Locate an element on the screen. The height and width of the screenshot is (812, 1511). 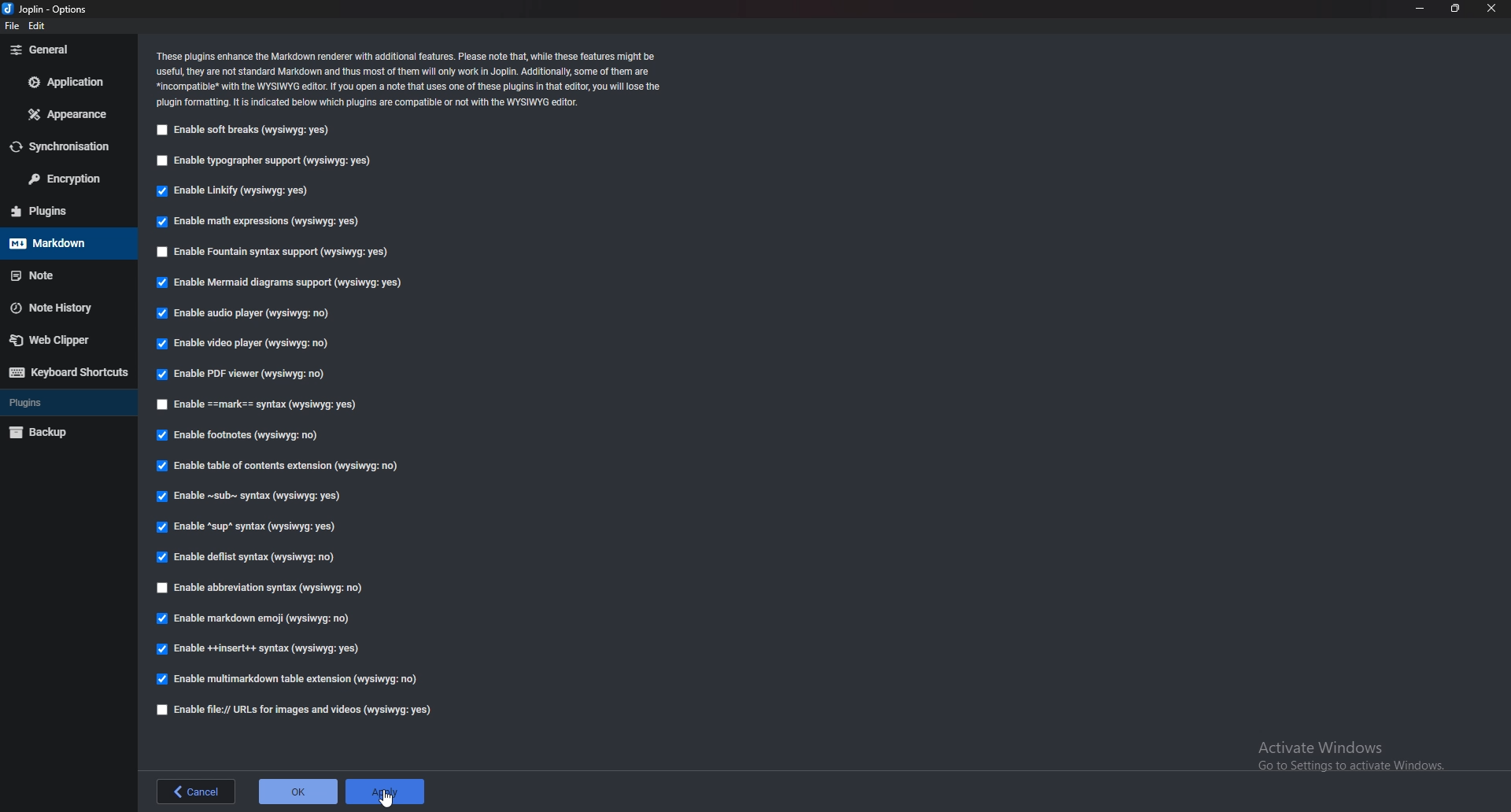
Encryption is located at coordinates (67, 180).